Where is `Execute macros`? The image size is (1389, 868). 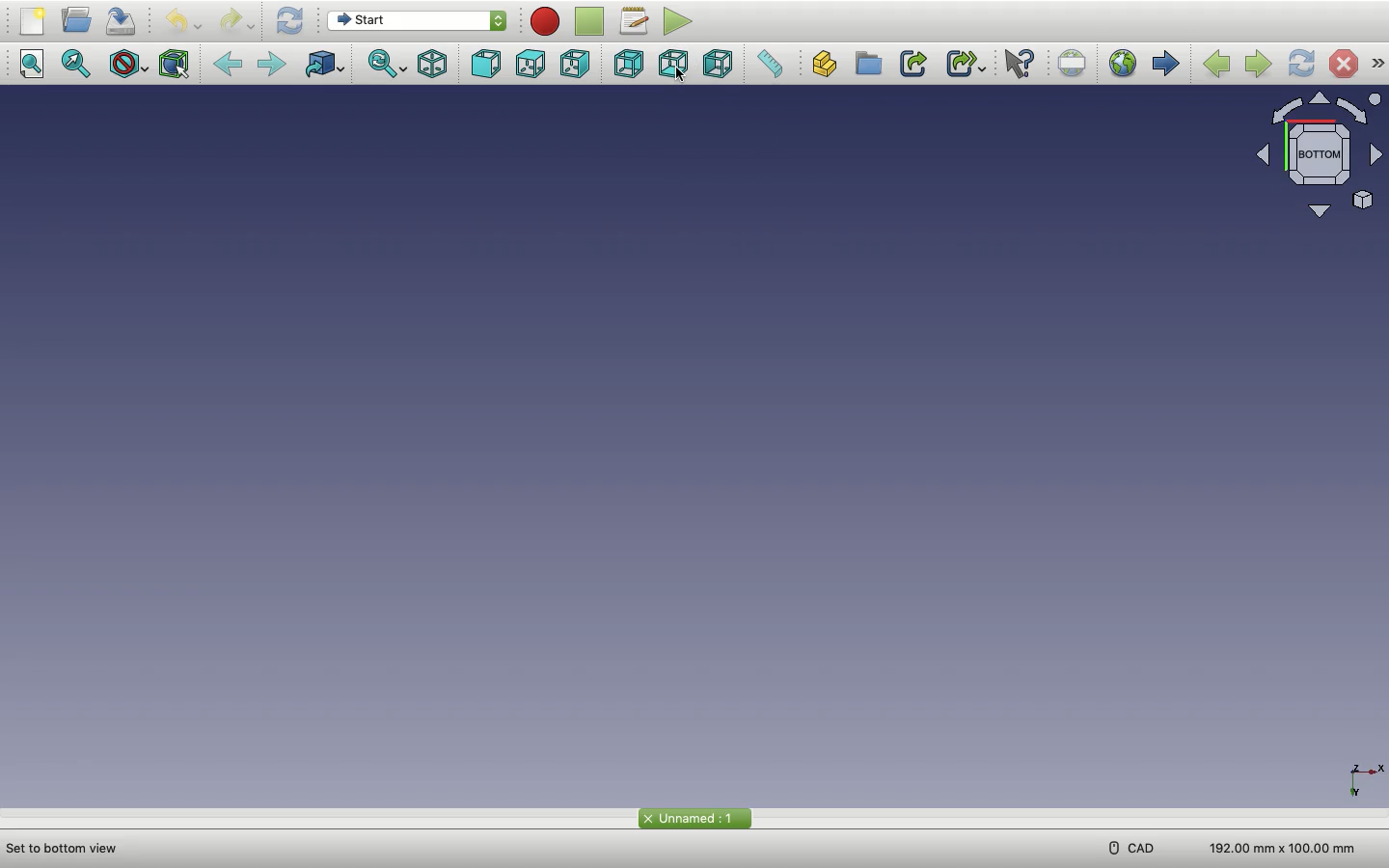 Execute macros is located at coordinates (682, 23).